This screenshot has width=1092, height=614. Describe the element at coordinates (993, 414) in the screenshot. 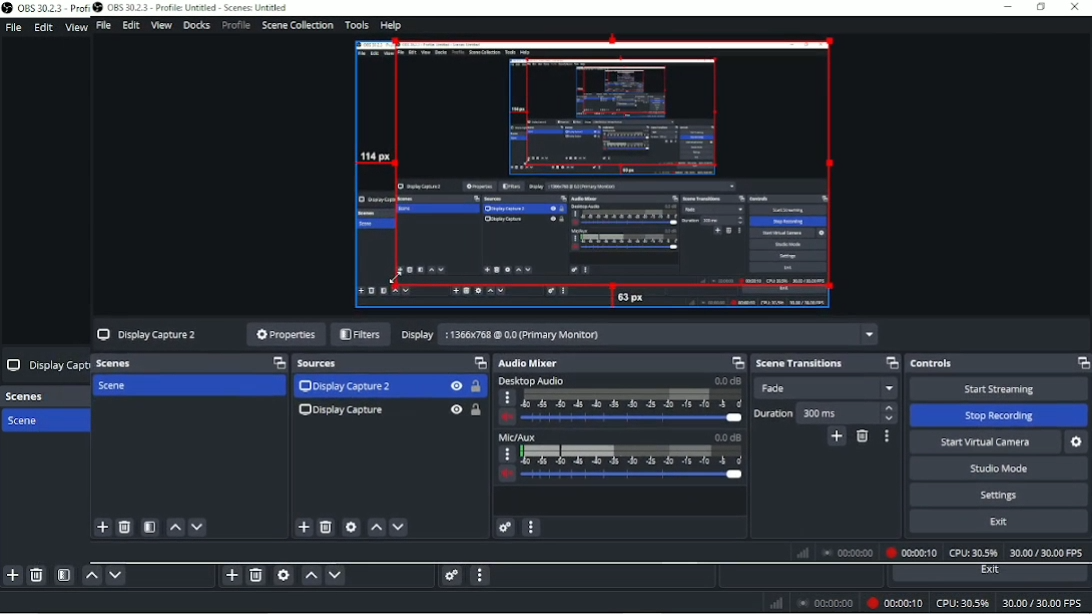

I see `‘Stop Recording.` at that location.